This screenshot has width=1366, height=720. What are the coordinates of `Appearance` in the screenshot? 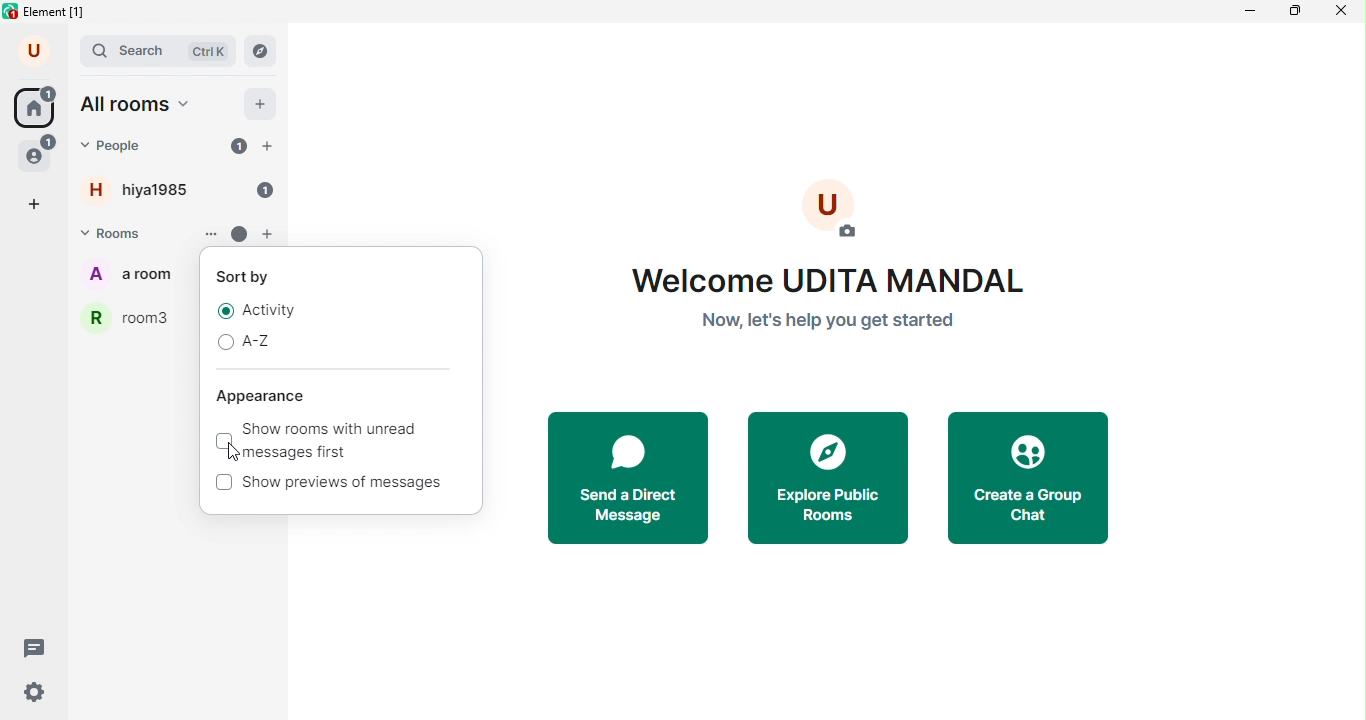 It's located at (268, 398).